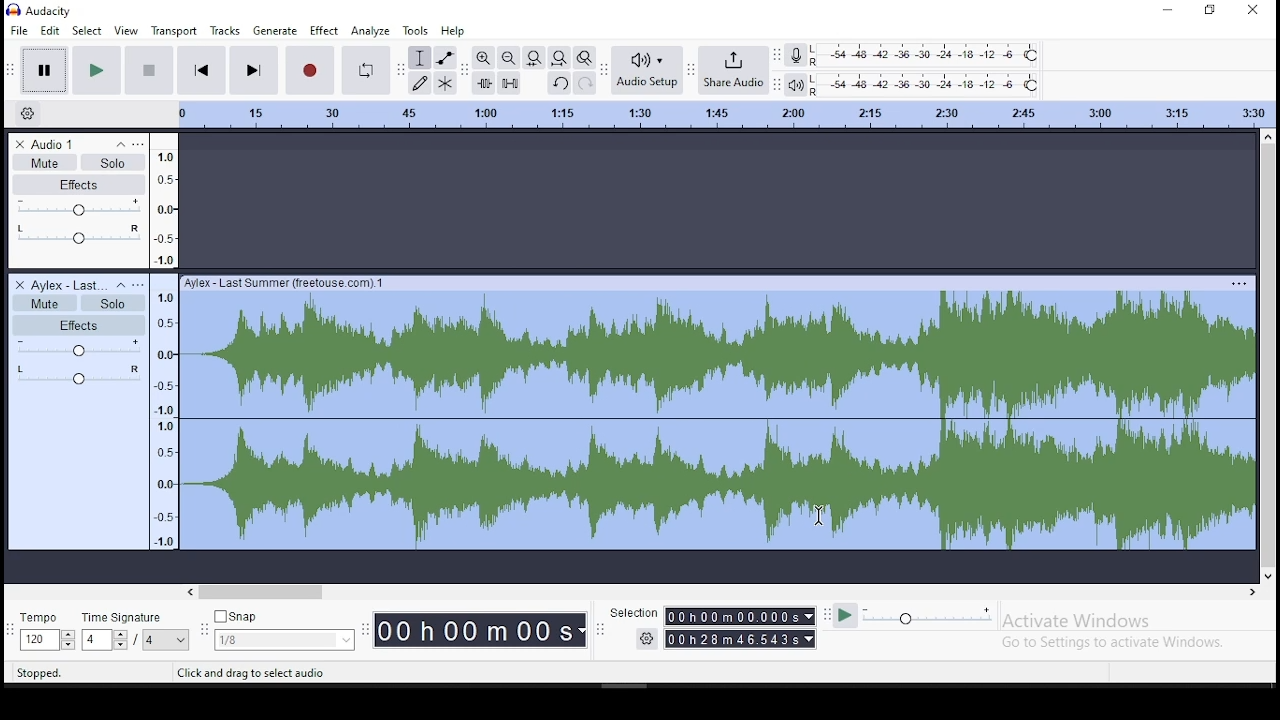 This screenshot has width=1280, height=720. Describe the element at coordinates (1165, 10) in the screenshot. I see `minimize` at that location.